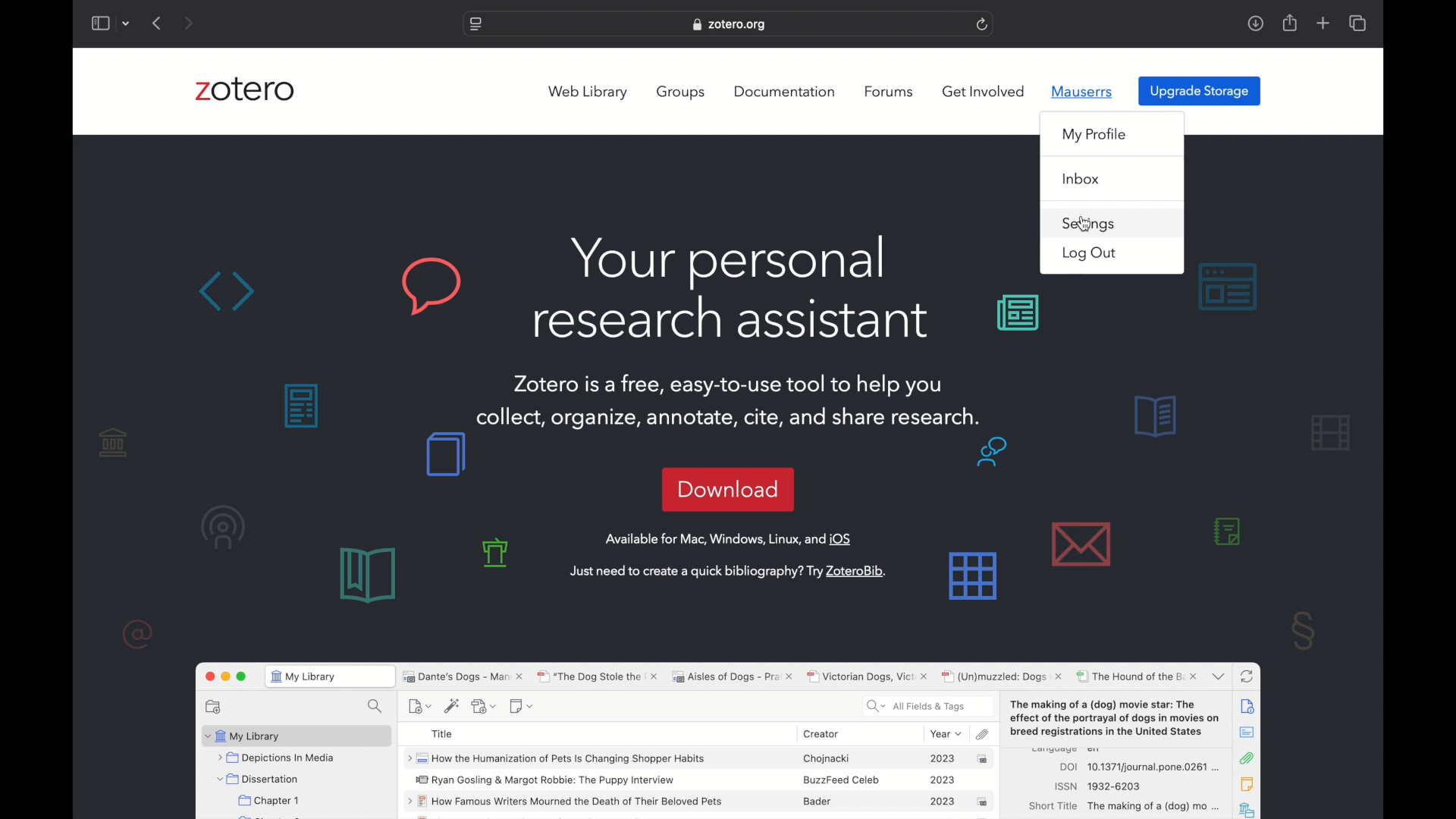 The image size is (1456, 819). What do you see at coordinates (731, 398) in the screenshot?
I see `Zotero is a free, easy-to-use tool to help you
collect, organize, annotate, cite, and share research.` at bounding box center [731, 398].